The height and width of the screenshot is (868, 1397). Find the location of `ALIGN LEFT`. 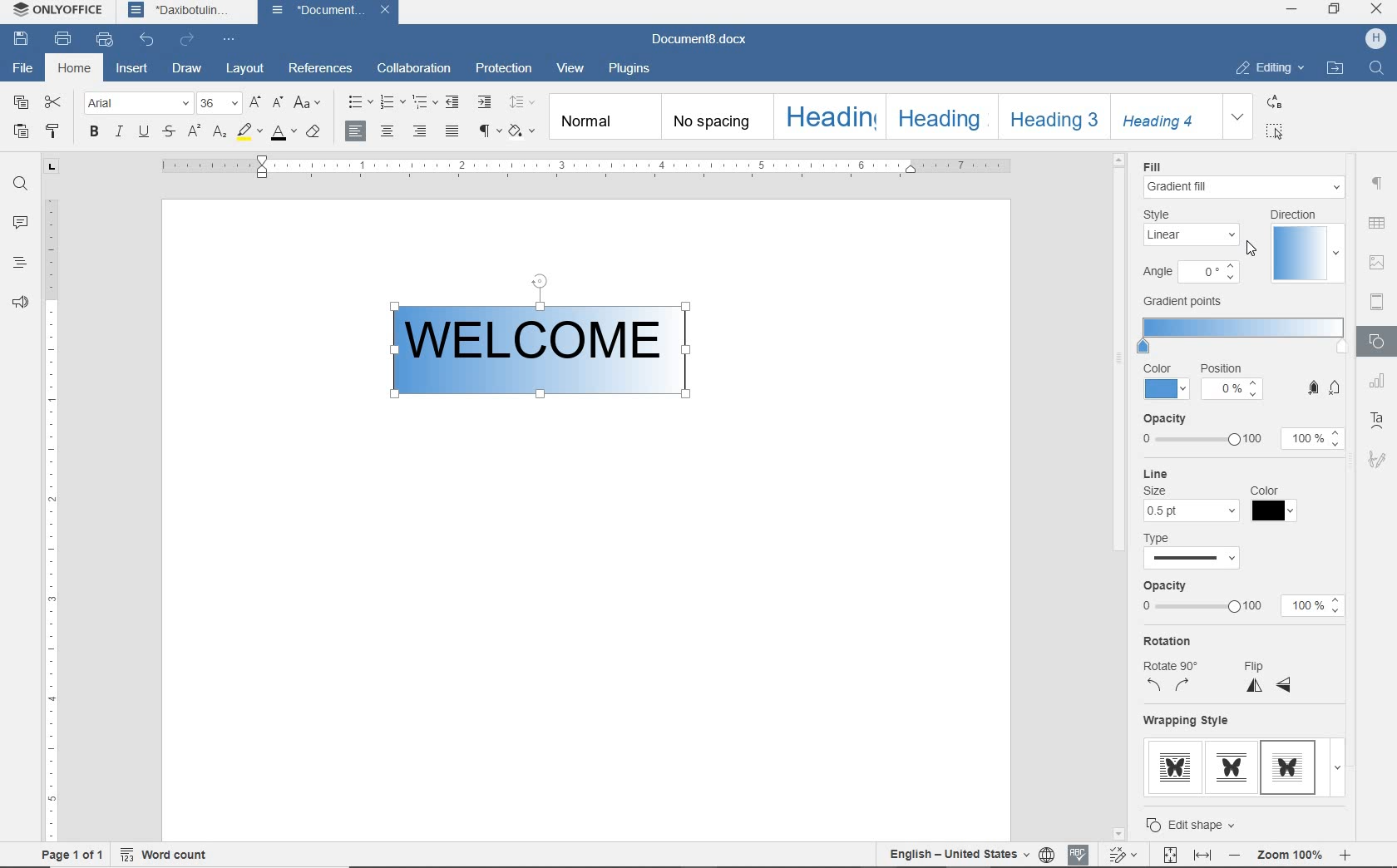

ALIGN LEFT is located at coordinates (357, 131).